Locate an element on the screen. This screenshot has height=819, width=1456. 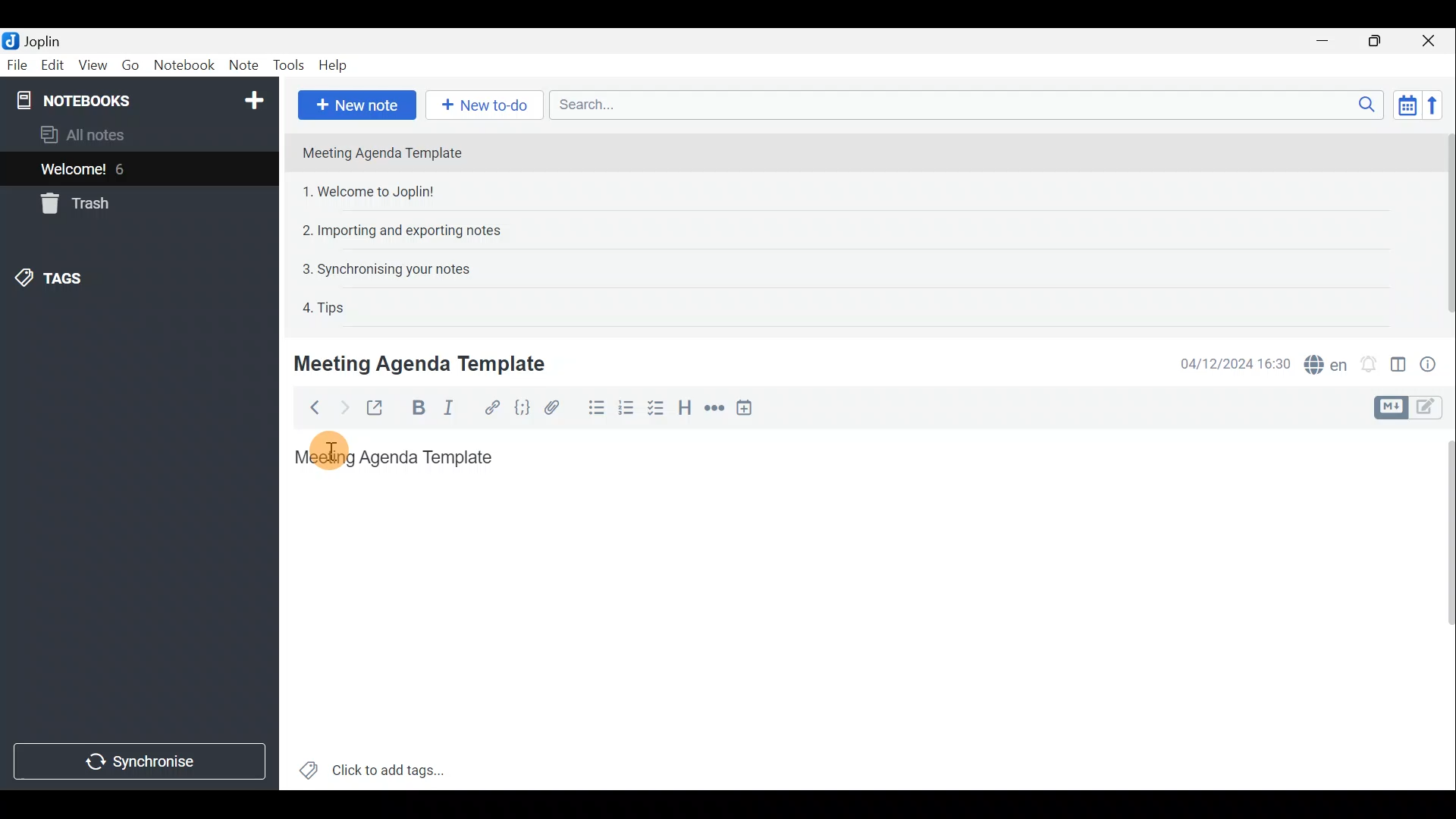
Bold is located at coordinates (419, 408).